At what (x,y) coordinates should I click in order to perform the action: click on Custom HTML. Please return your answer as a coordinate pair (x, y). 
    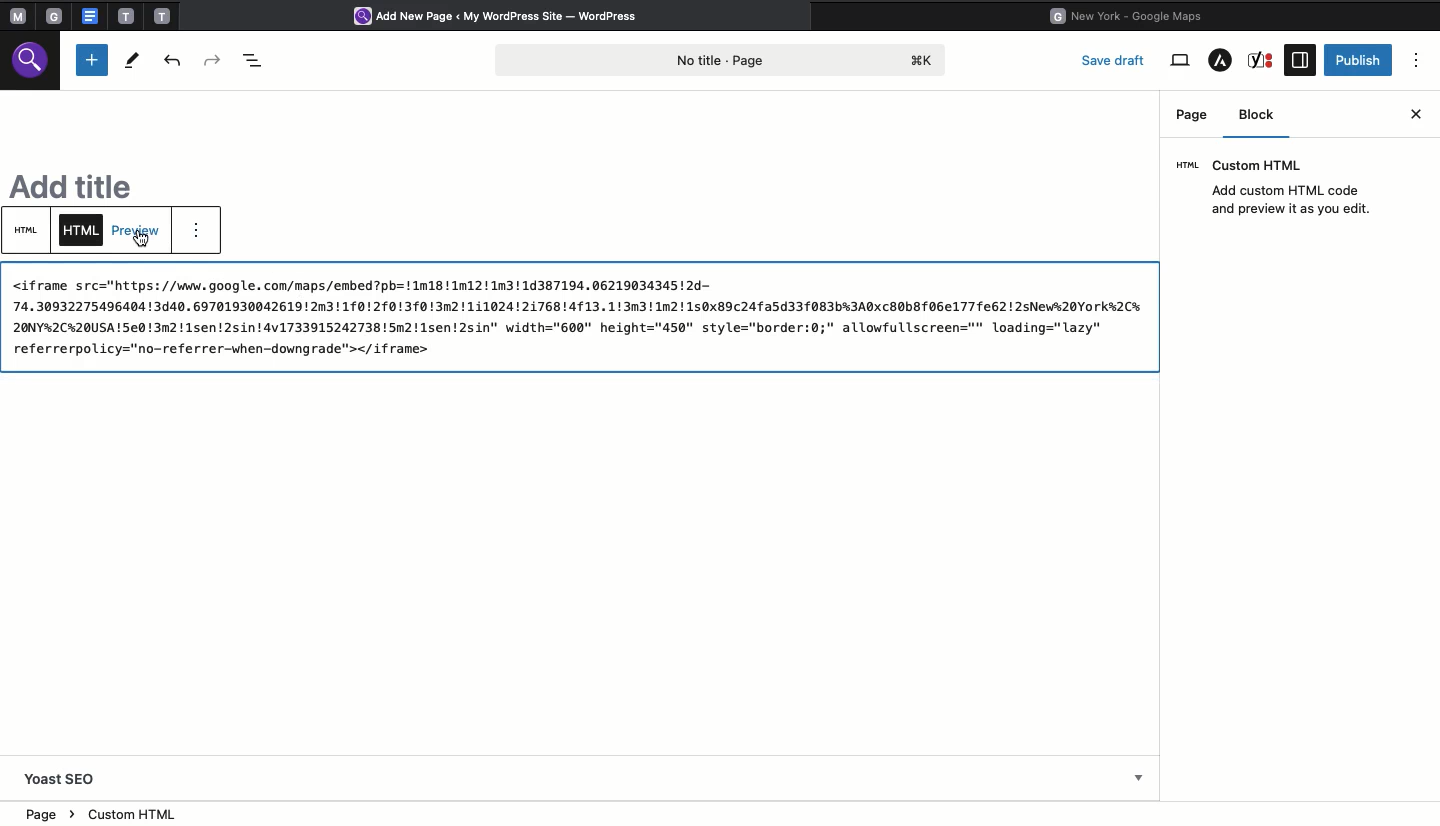
    Looking at the image, I should click on (1282, 188).